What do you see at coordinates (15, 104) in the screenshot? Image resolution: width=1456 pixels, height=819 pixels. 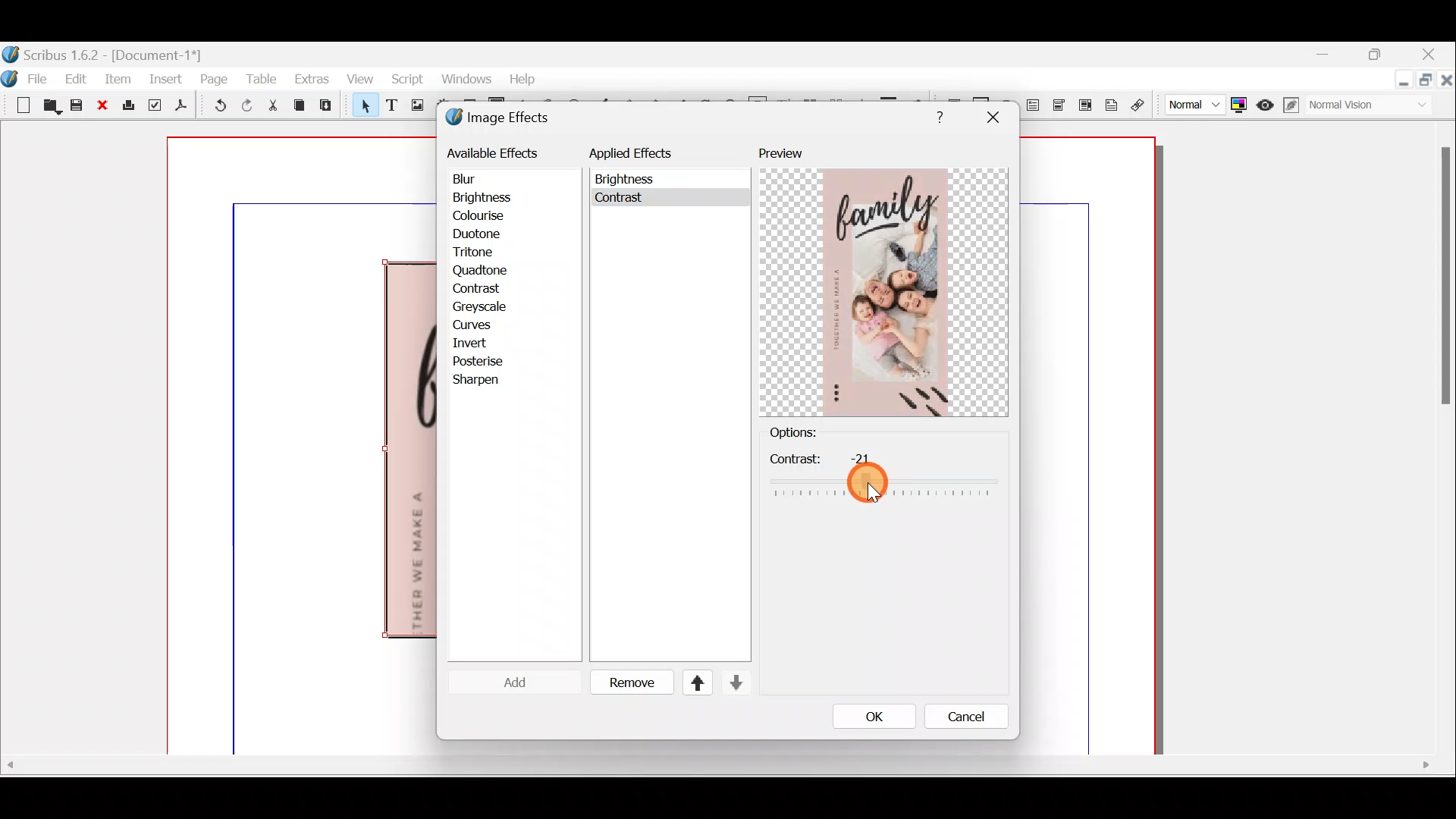 I see `New` at bounding box center [15, 104].